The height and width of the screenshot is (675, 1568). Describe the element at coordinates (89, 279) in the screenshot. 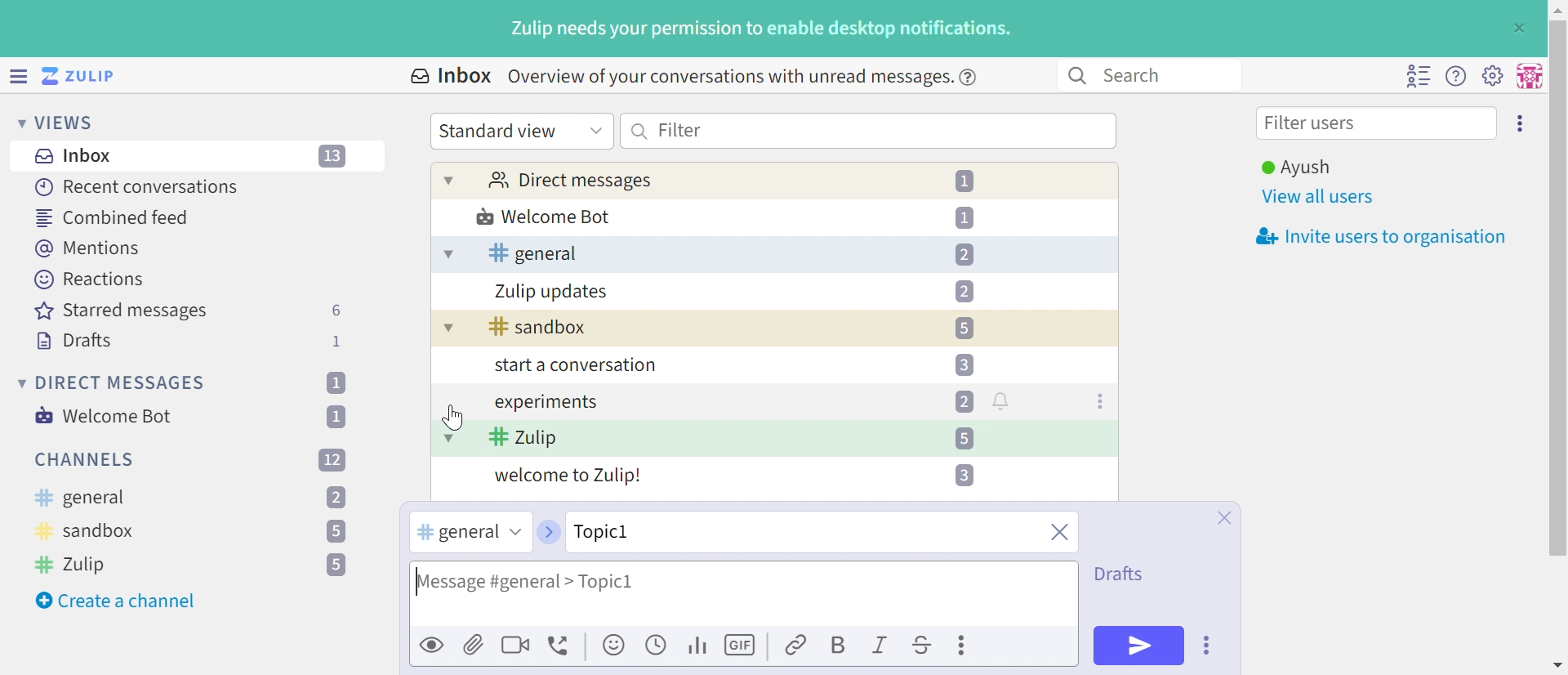

I see `Reactions` at that location.